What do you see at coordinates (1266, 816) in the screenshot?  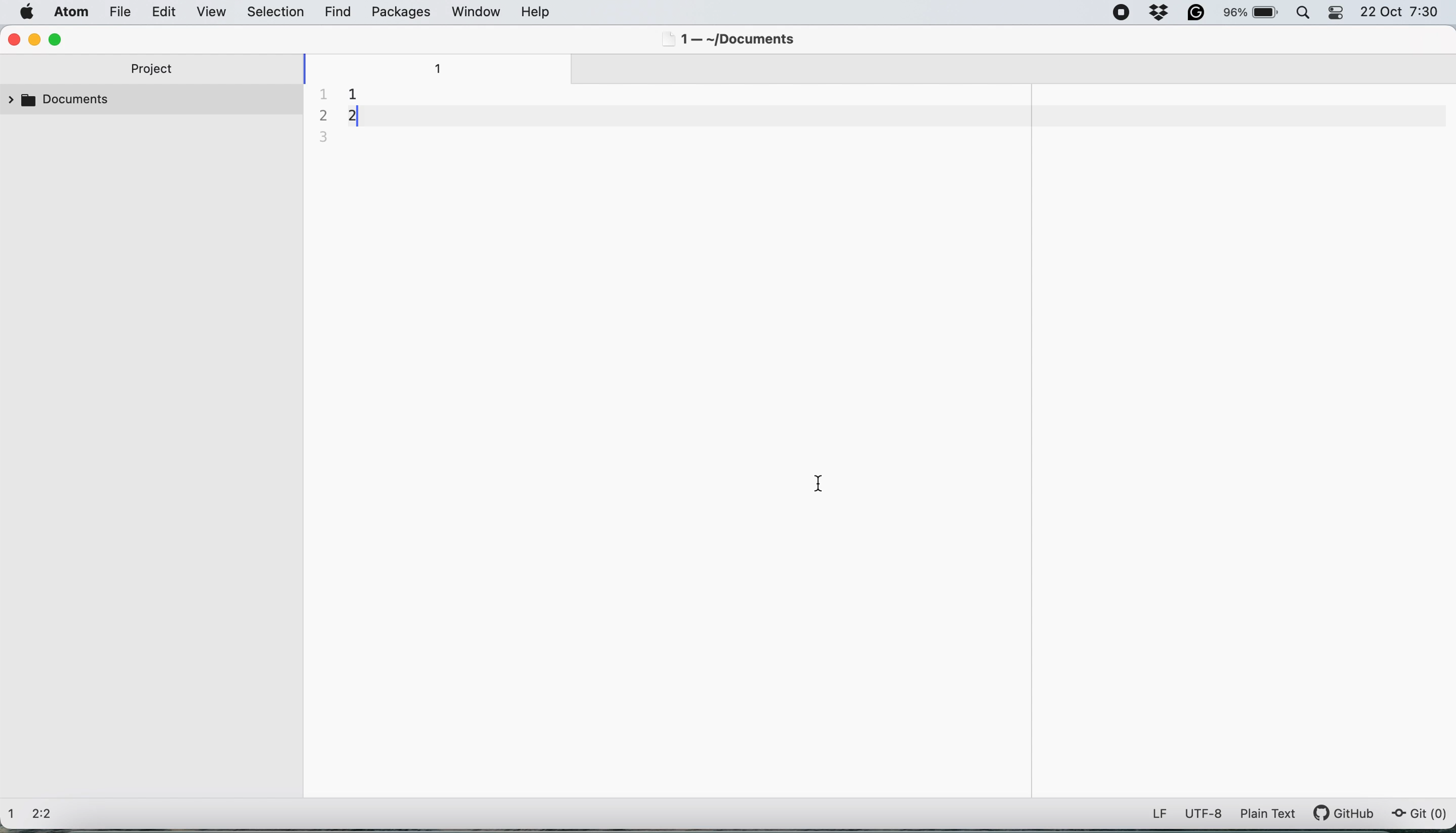 I see `plain text` at bounding box center [1266, 816].